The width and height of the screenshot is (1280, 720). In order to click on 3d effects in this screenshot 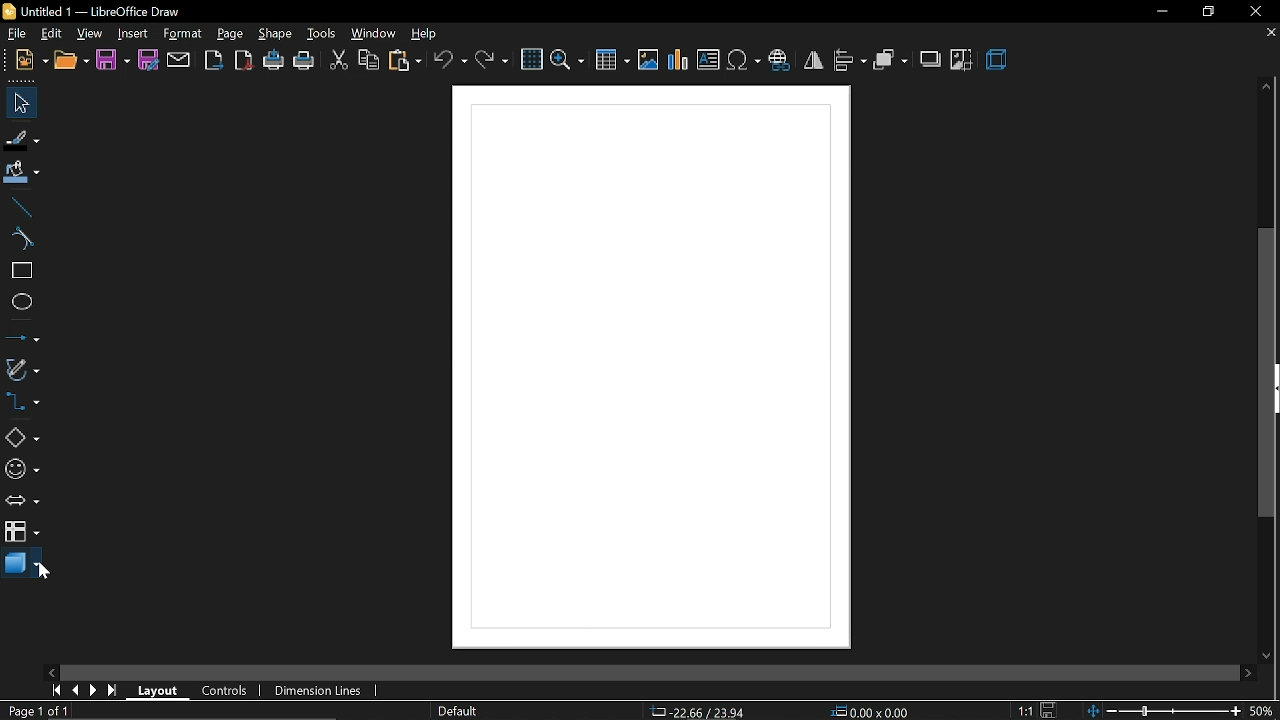, I will do `click(997, 60)`.